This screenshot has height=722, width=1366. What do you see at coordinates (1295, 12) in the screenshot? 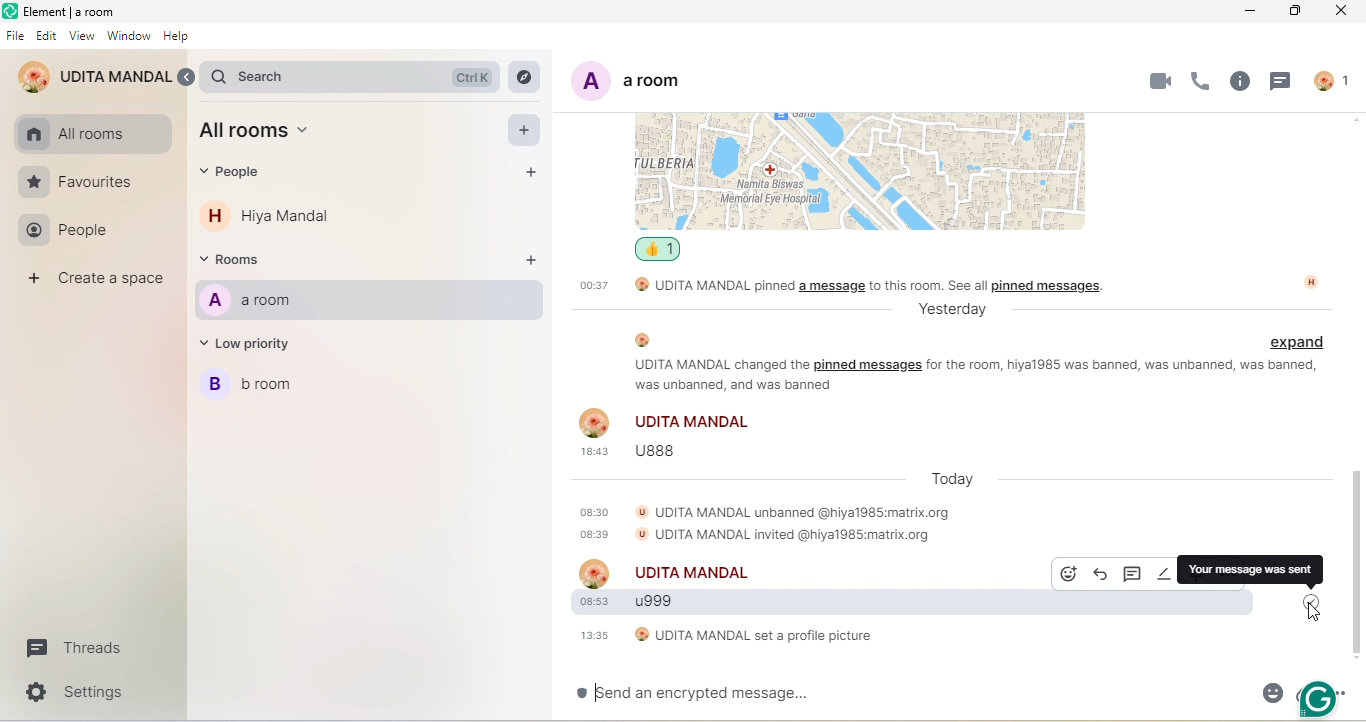
I see `Maximize` at bounding box center [1295, 12].